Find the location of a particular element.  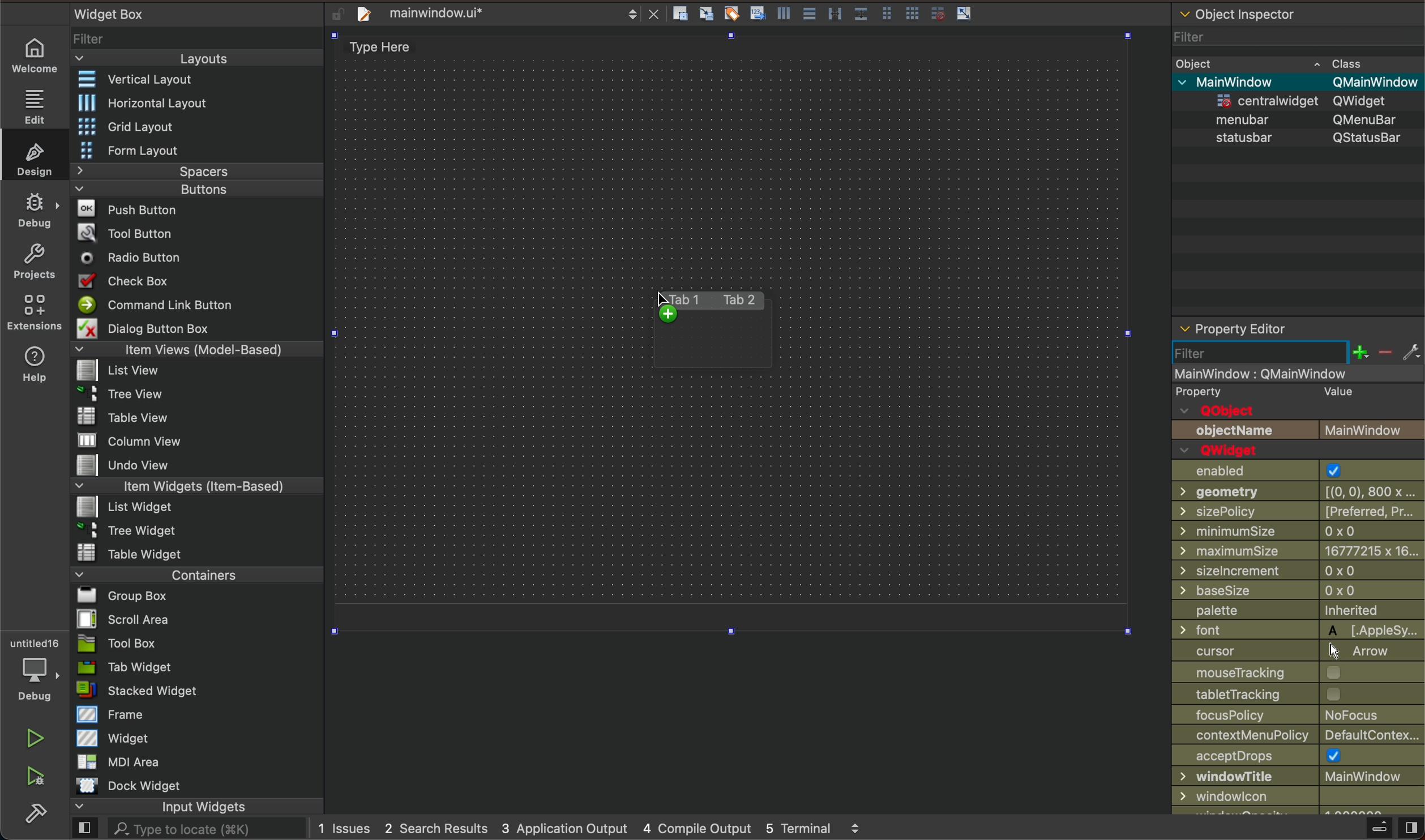

design is located at coordinates (34, 156).